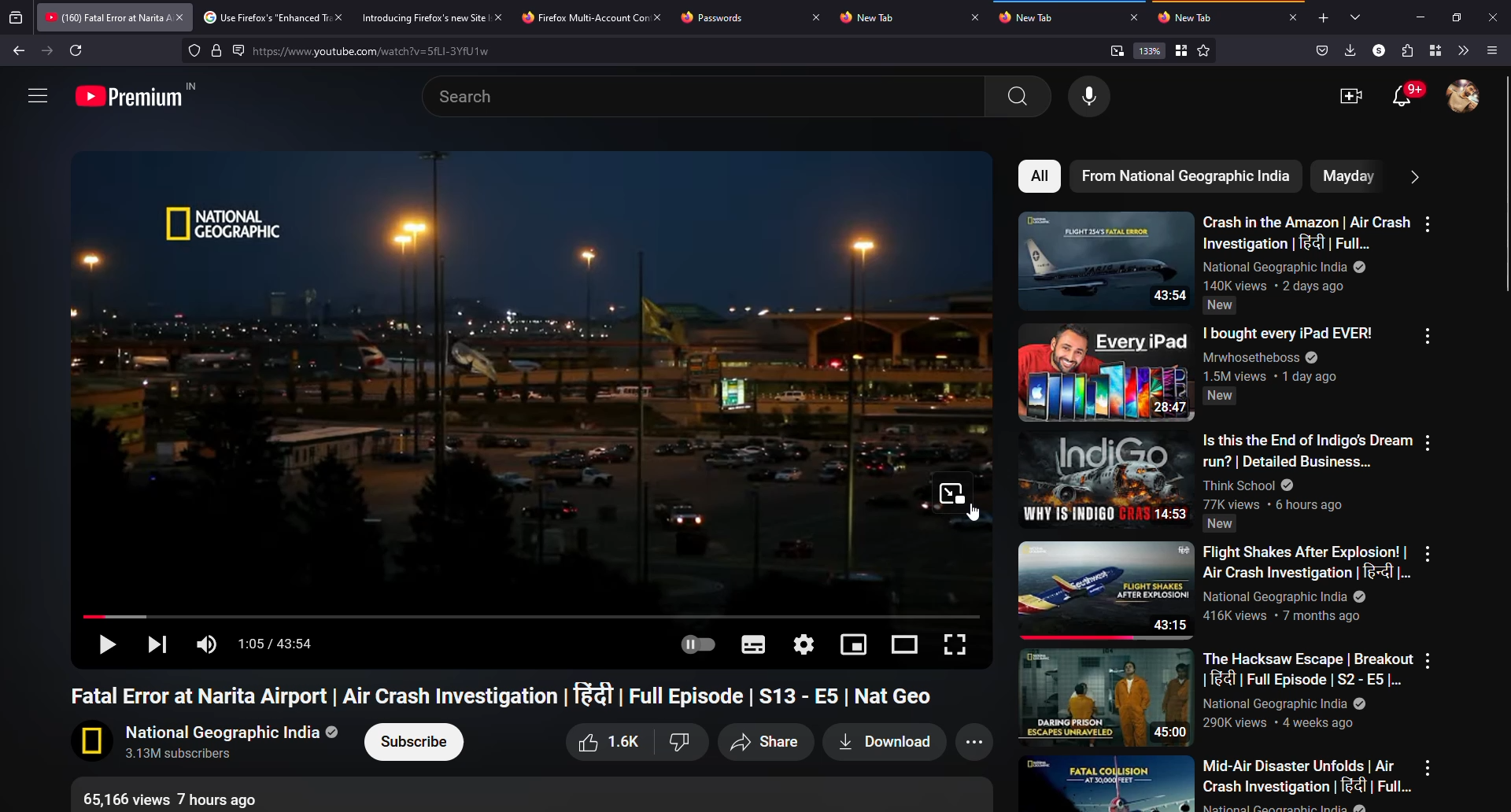 The image size is (1511, 812). What do you see at coordinates (105, 646) in the screenshot?
I see `play` at bounding box center [105, 646].